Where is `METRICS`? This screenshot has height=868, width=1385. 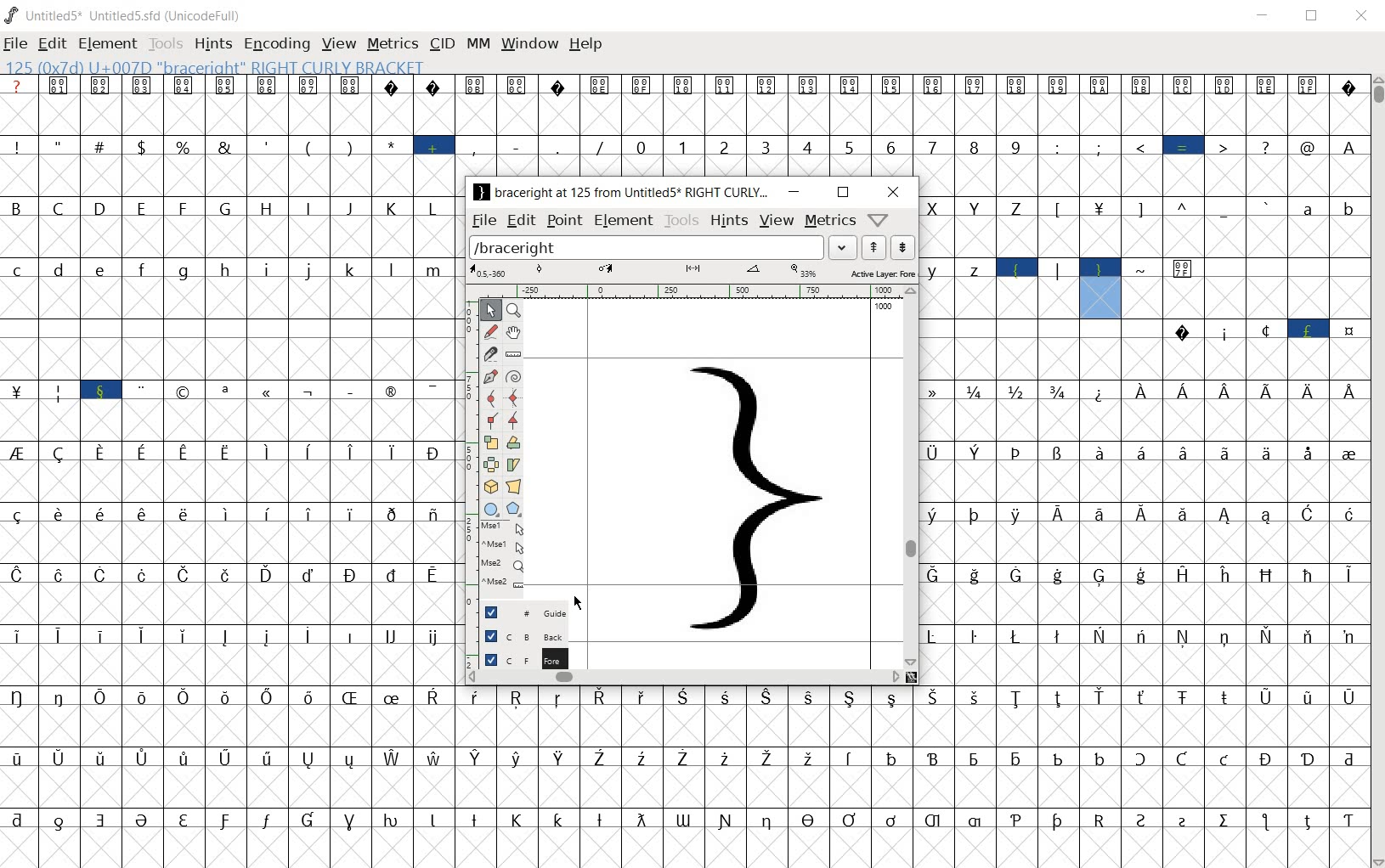 METRICS is located at coordinates (392, 45).